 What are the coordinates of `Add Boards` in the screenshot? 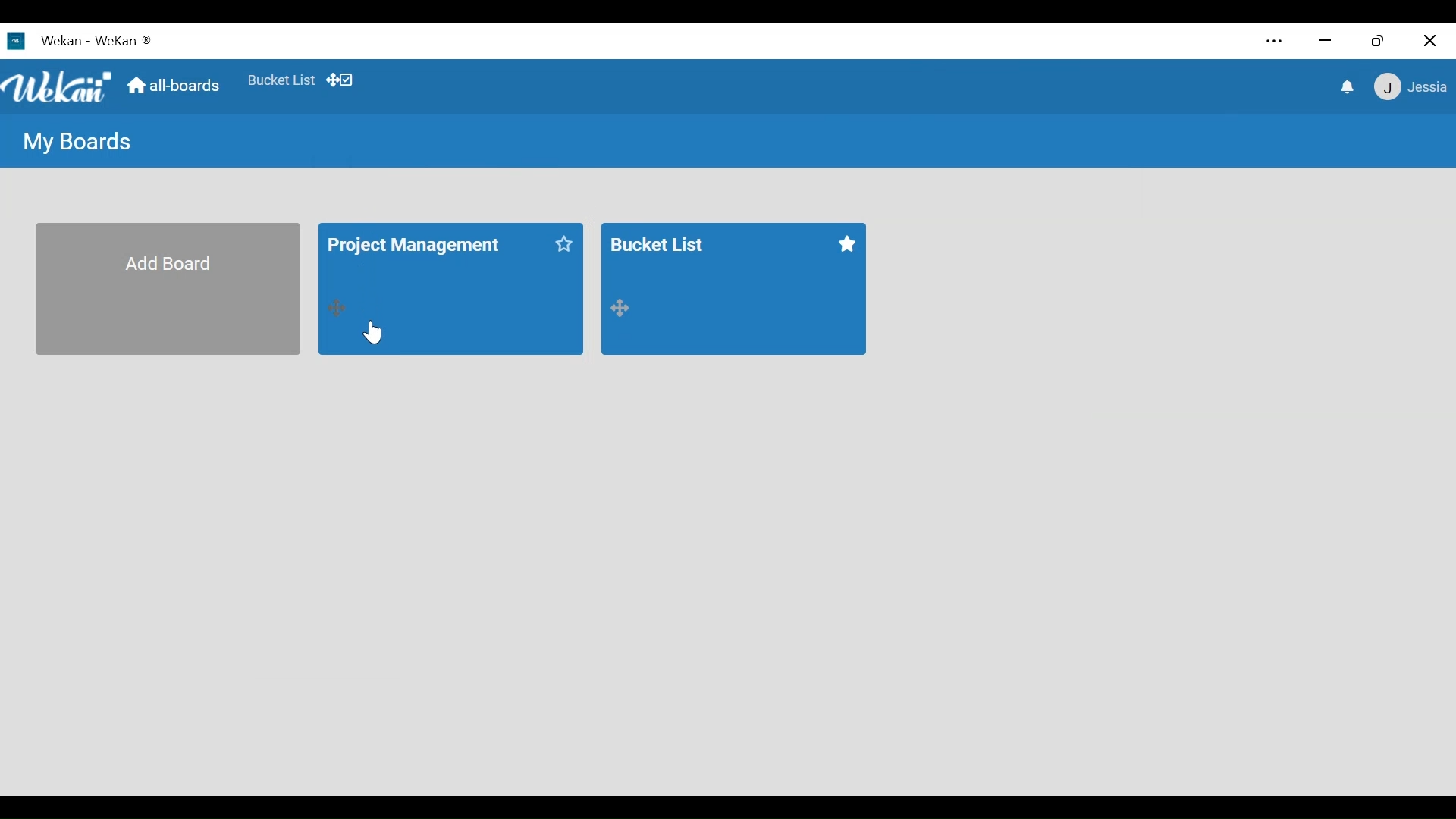 It's located at (167, 288).